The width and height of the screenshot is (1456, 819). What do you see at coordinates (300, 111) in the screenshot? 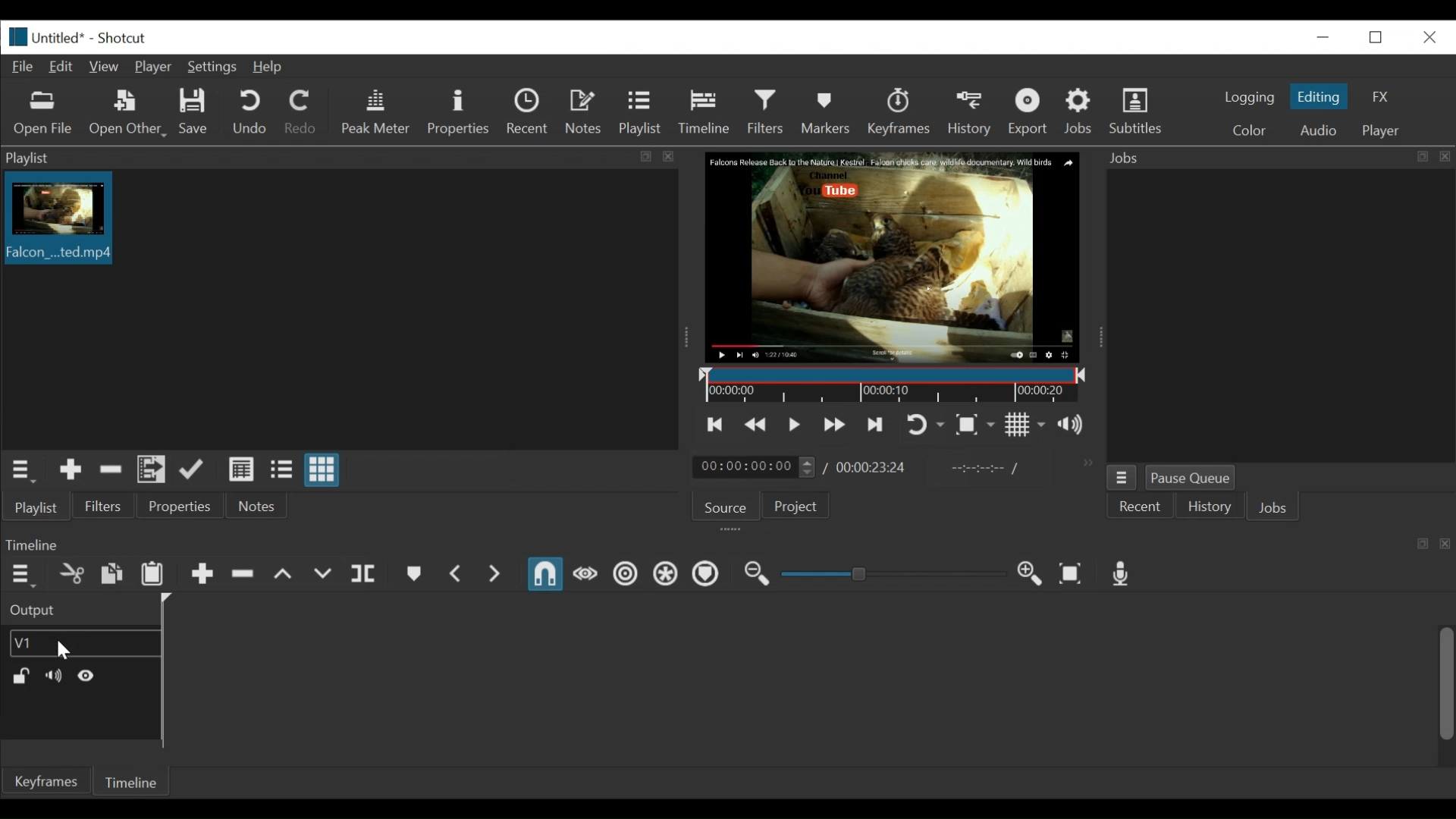
I see `Redo` at bounding box center [300, 111].